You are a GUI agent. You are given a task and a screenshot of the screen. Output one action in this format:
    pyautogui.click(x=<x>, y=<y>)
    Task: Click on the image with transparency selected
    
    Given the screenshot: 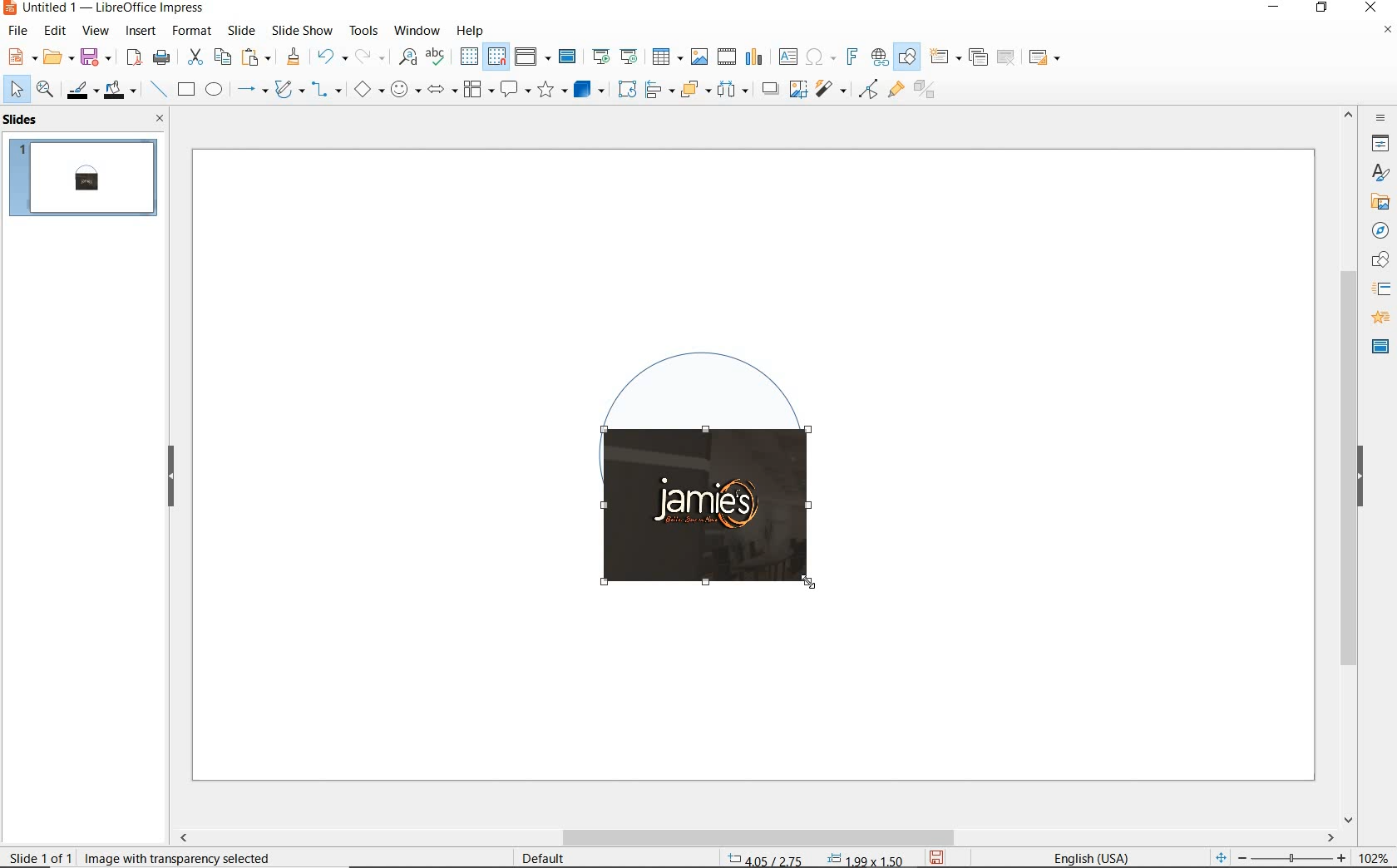 What is the action you would take?
    pyautogui.click(x=183, y=856)
    